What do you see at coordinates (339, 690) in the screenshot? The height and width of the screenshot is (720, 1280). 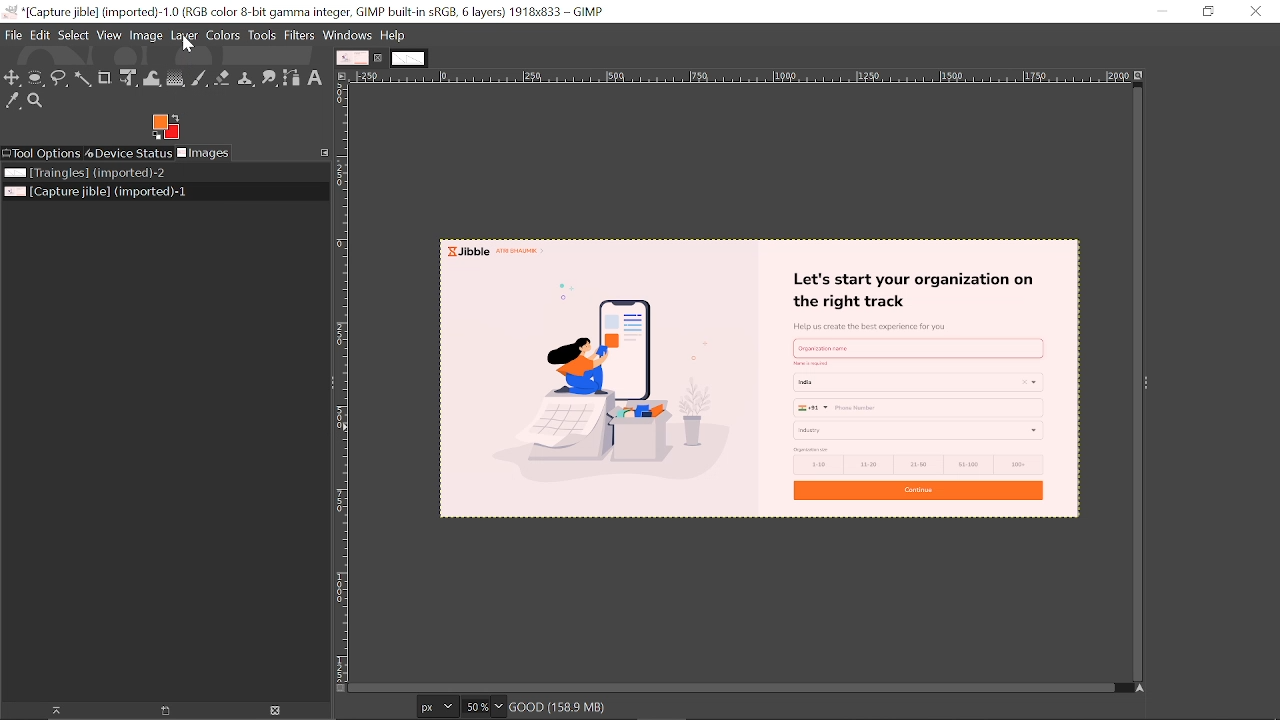 I see `Toggle quick mask on/off` at bounding box center [339, 690].